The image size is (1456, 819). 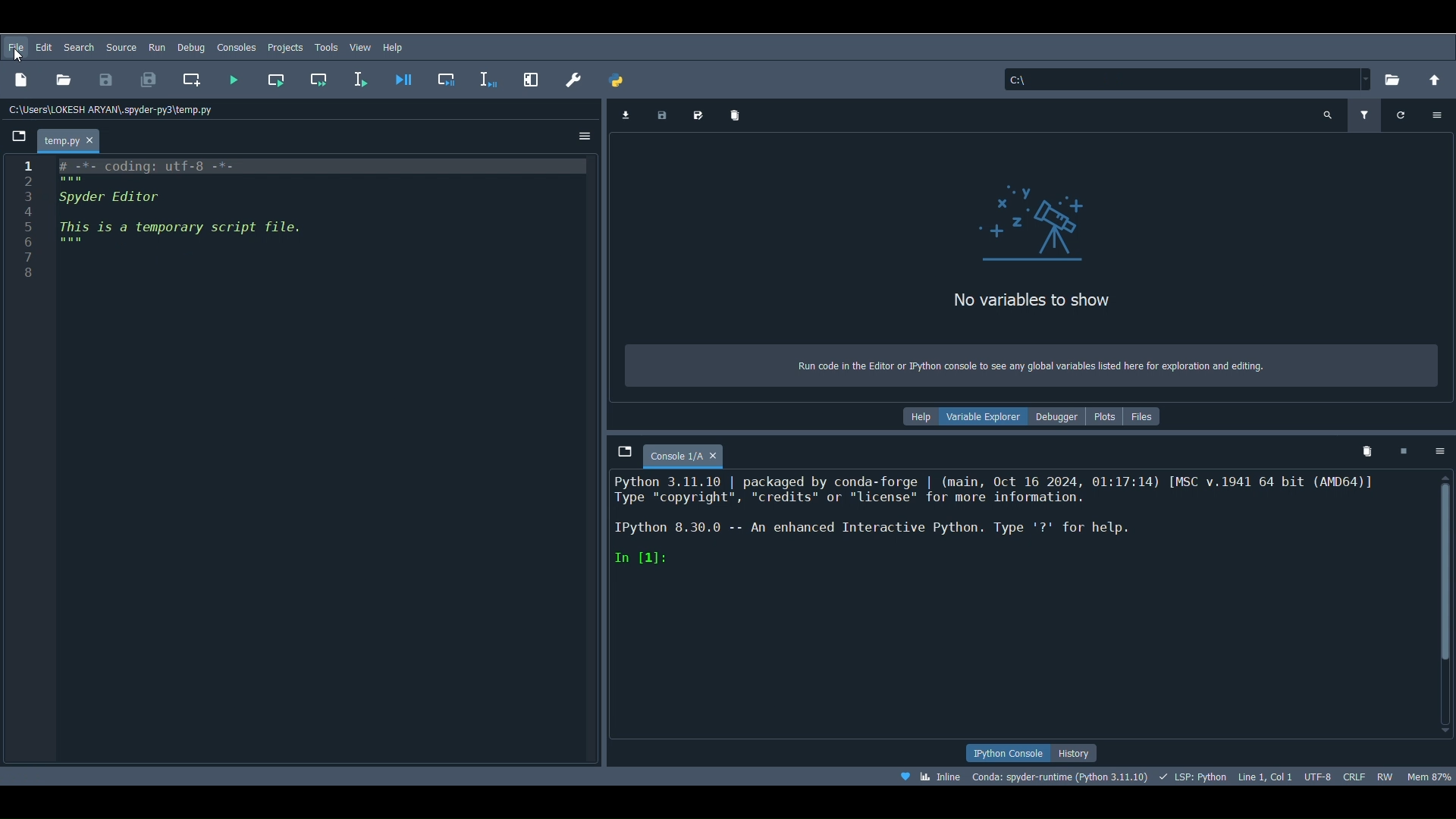 What do you see at coordinates (1369, 451) in the screenshot?
I see `Remove all variables from namespace` at bounding box center [1369, 451].